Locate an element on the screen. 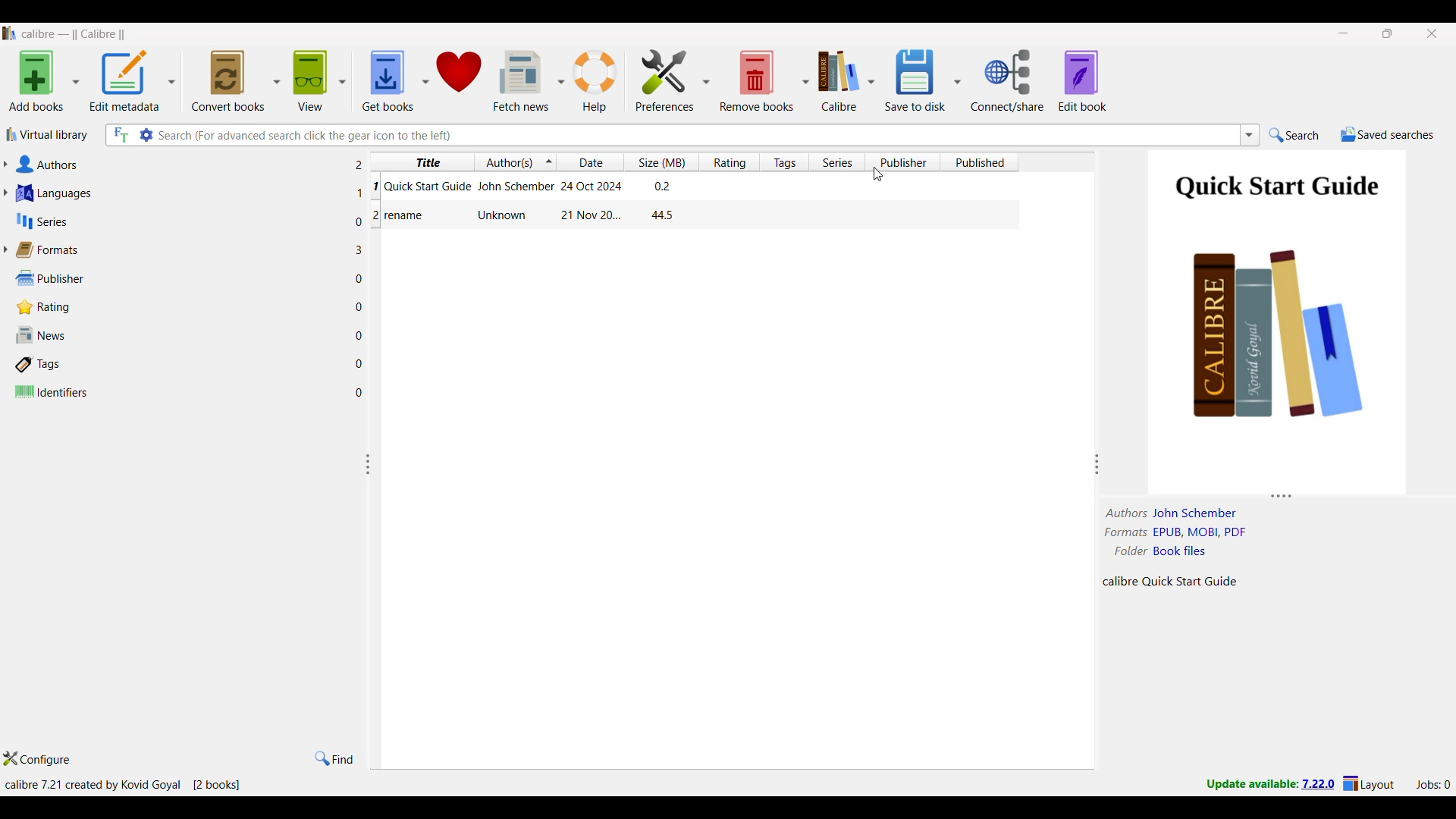  0 is located at coordinates (361, 281).